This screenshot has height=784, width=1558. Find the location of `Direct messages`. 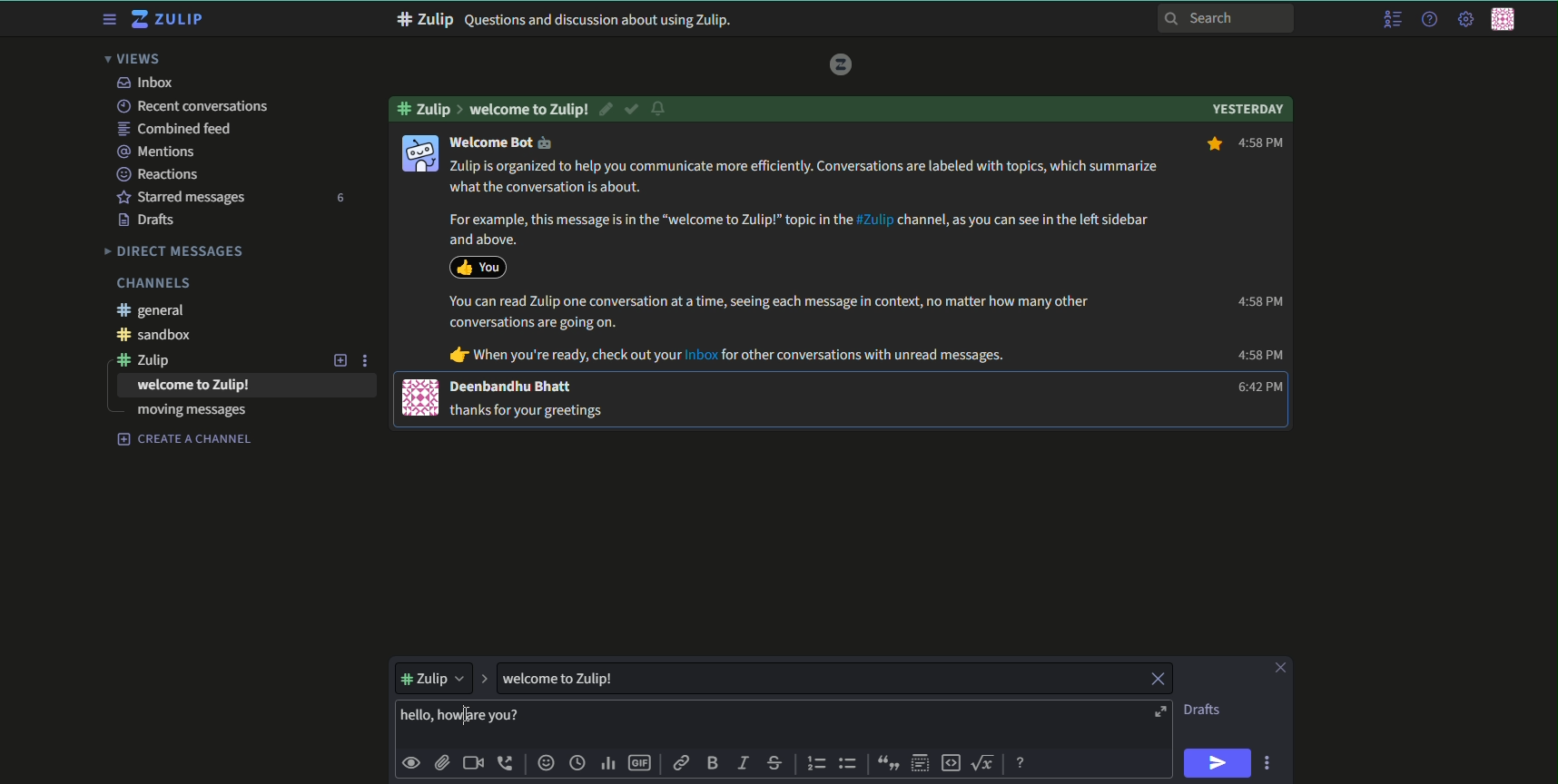

Direct messages is located at coordinates (175, 250).